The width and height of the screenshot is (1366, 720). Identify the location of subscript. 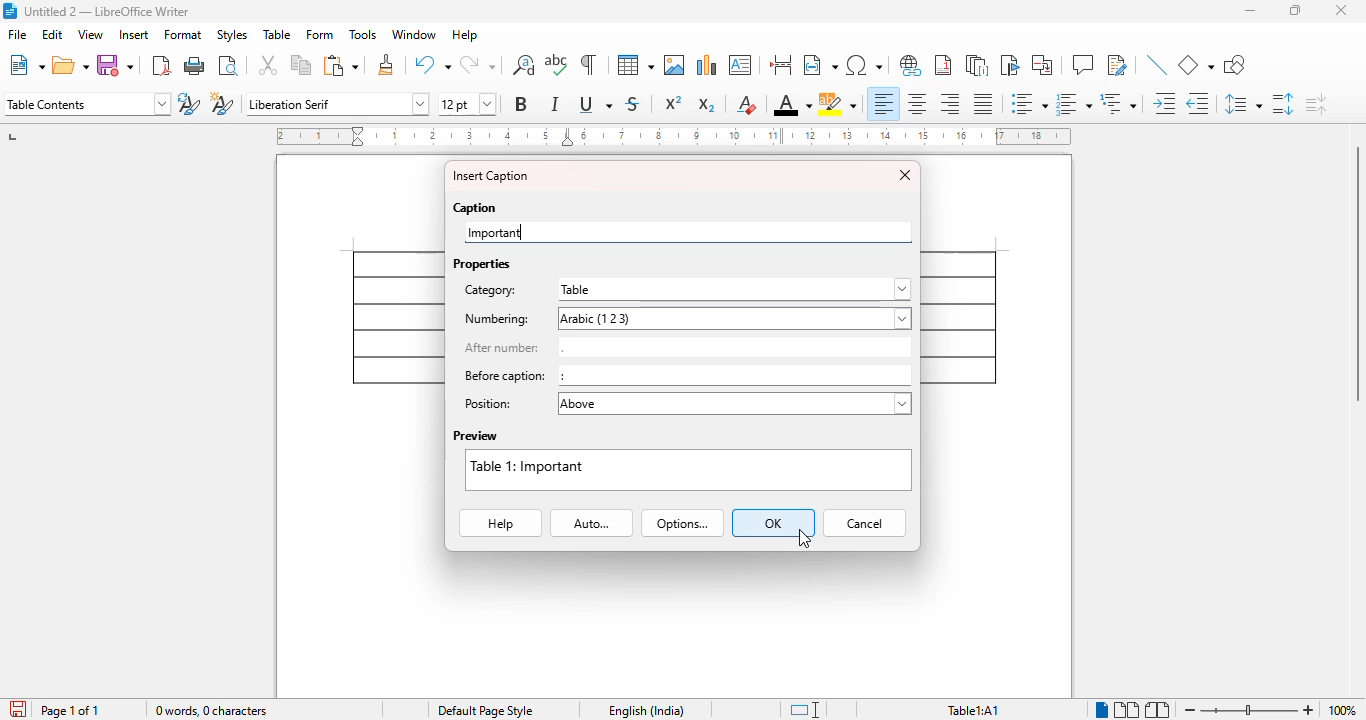
(707, 105).